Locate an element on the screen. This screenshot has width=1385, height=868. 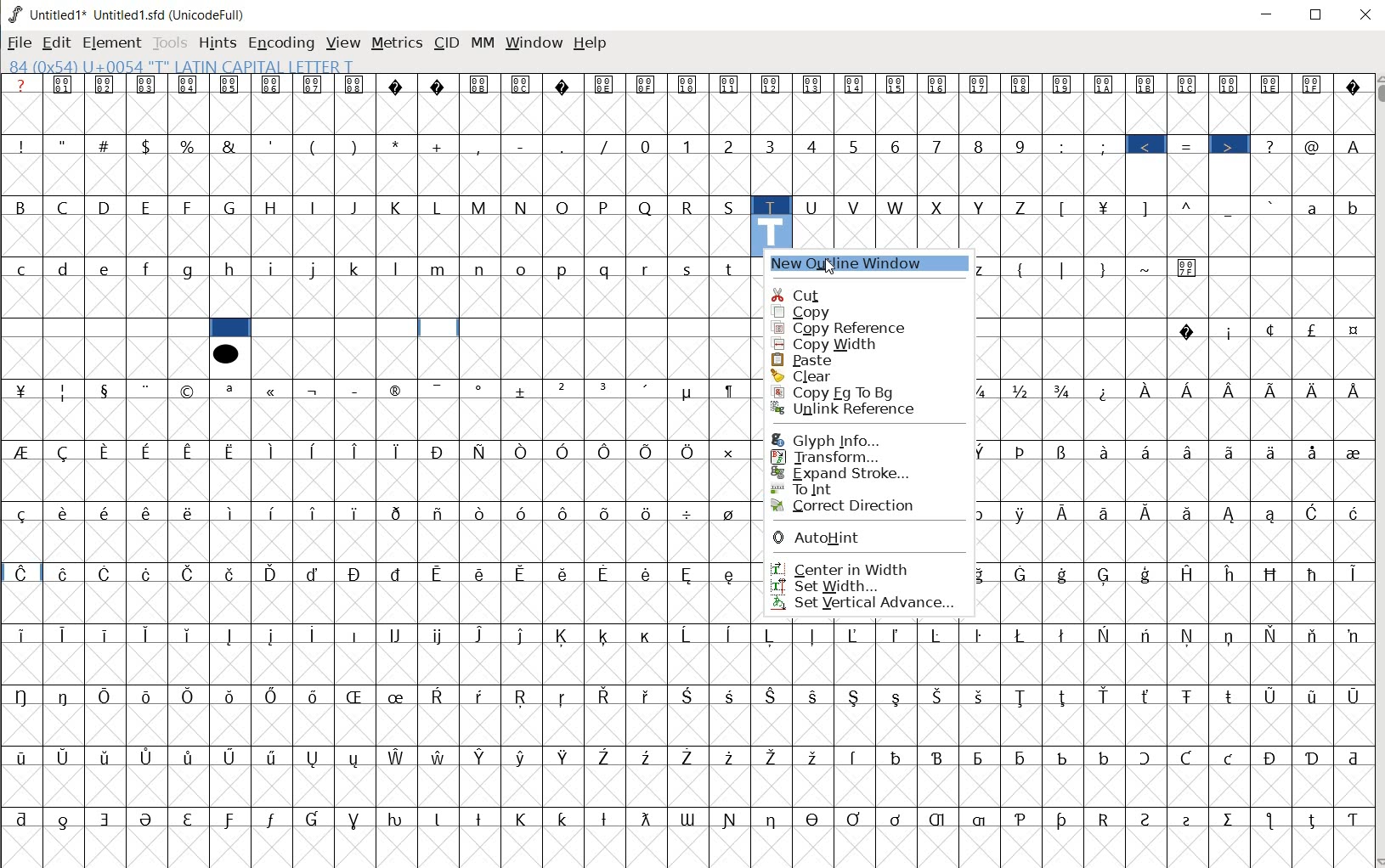
glyph info is located at coordinates (180, 65).